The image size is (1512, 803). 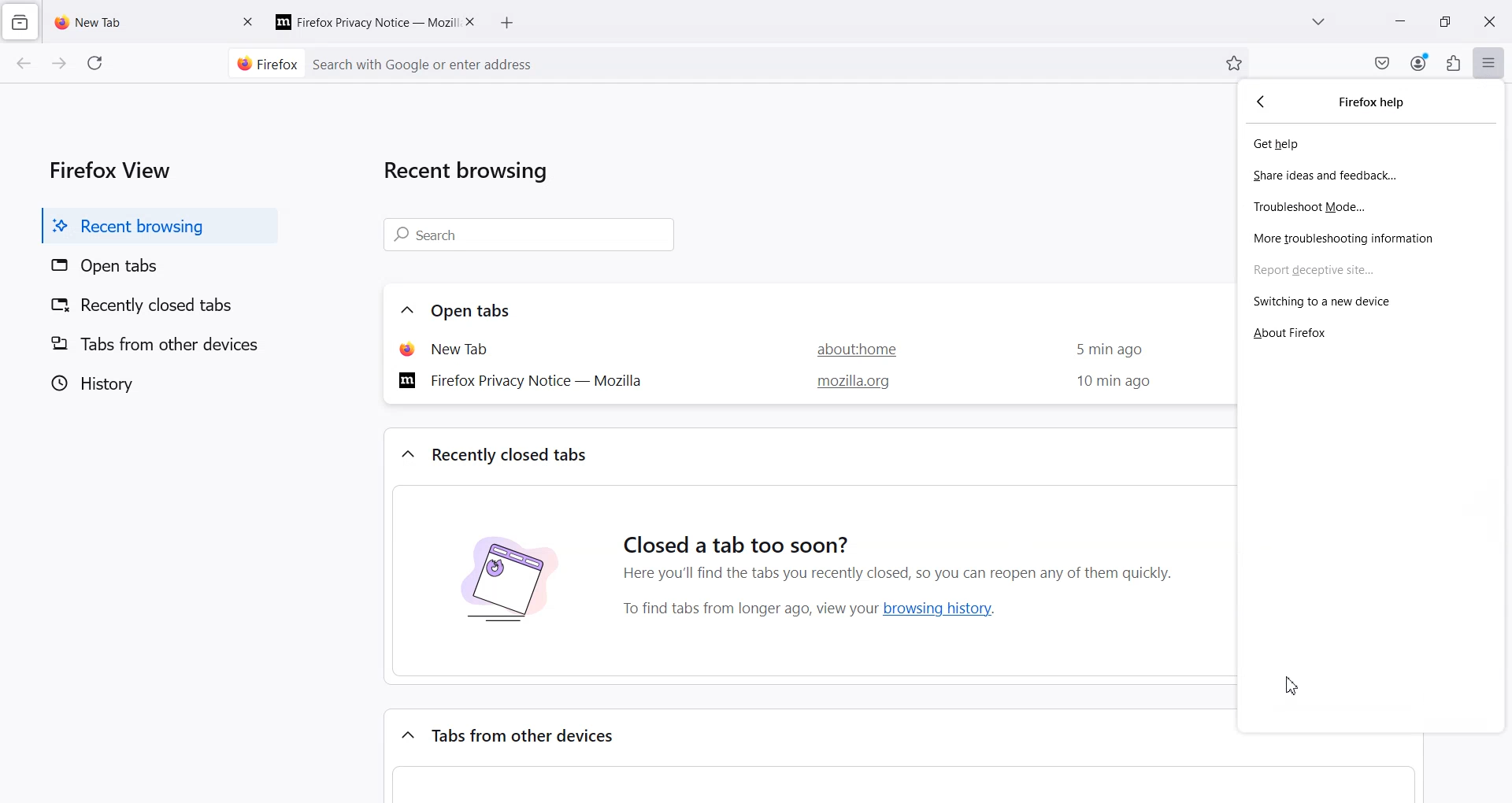 I want to click on Recently closed tabs, so click(x=154, y=307).